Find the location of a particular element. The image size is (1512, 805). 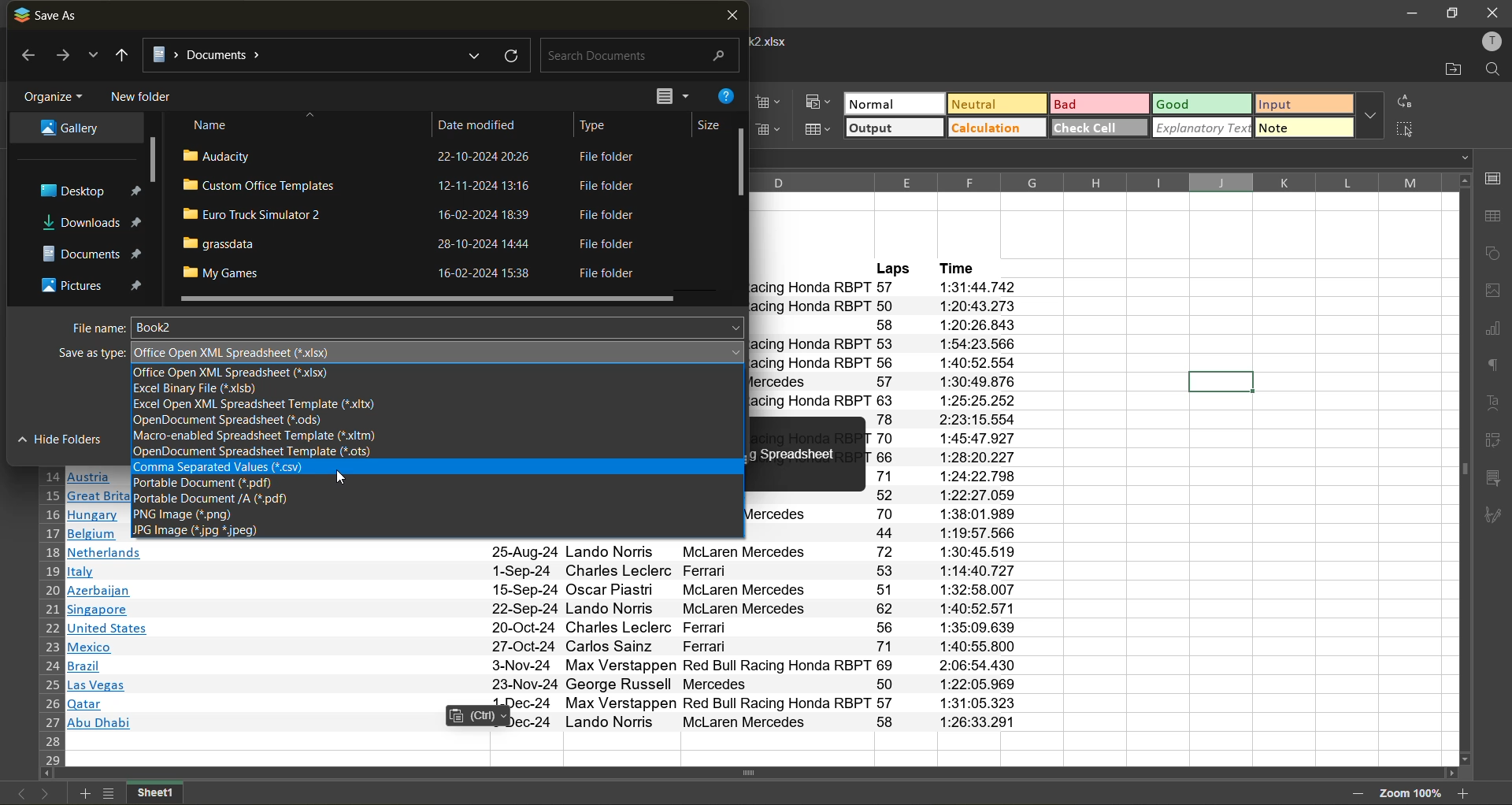

text info is located at coordinates (552, 684).